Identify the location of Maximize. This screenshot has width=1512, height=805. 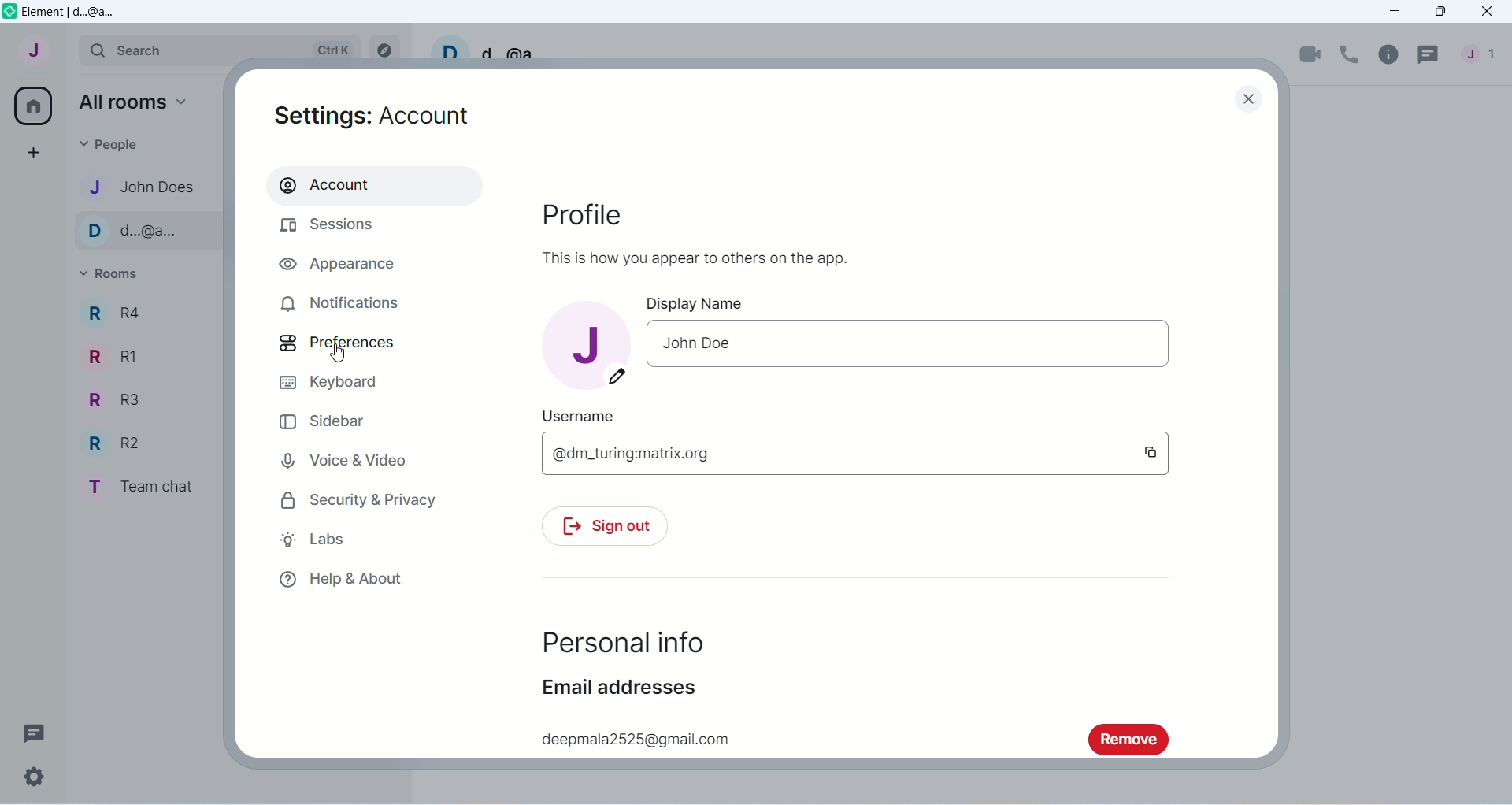
(1444, 11).